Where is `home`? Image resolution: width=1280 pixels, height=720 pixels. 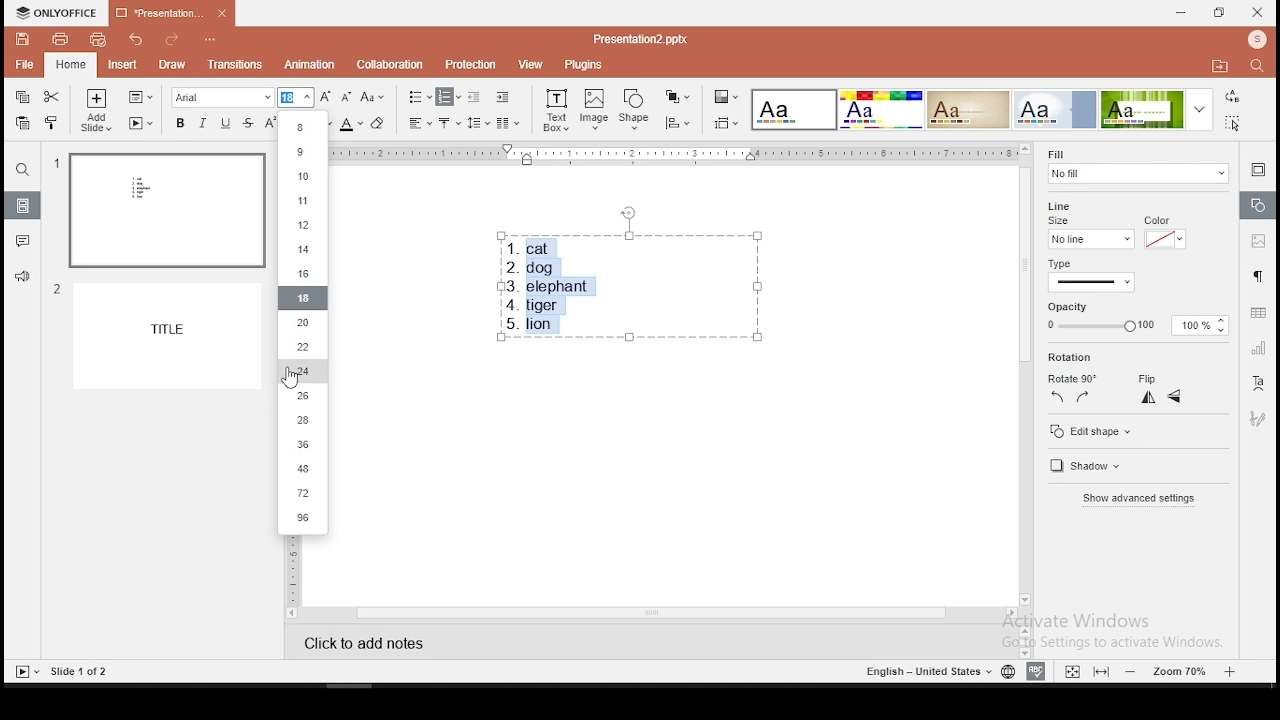
home is located at coordinates (69, 62).